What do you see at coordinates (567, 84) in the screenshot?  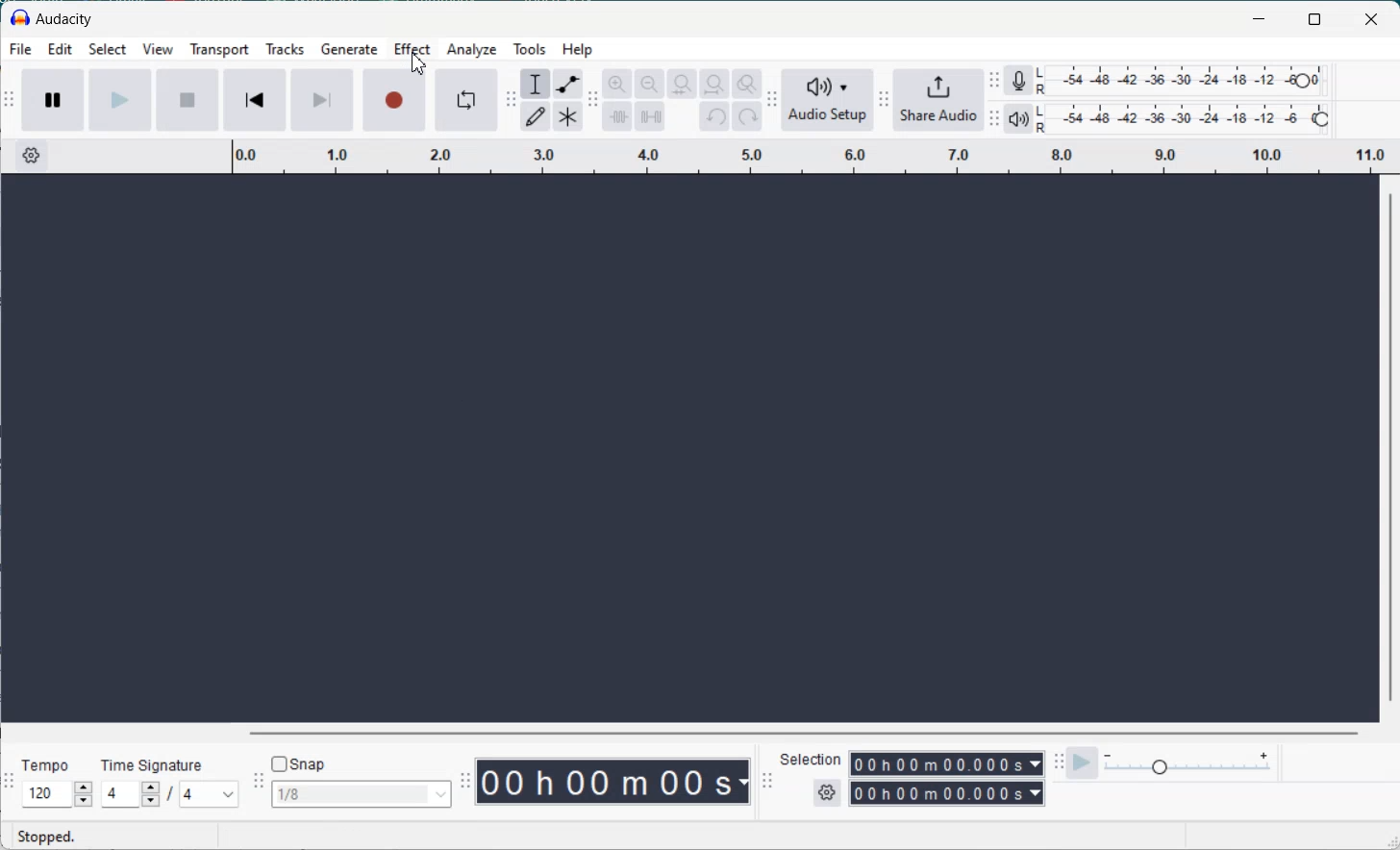 I see `Envelop tool ` at bounding box center [567, 84].